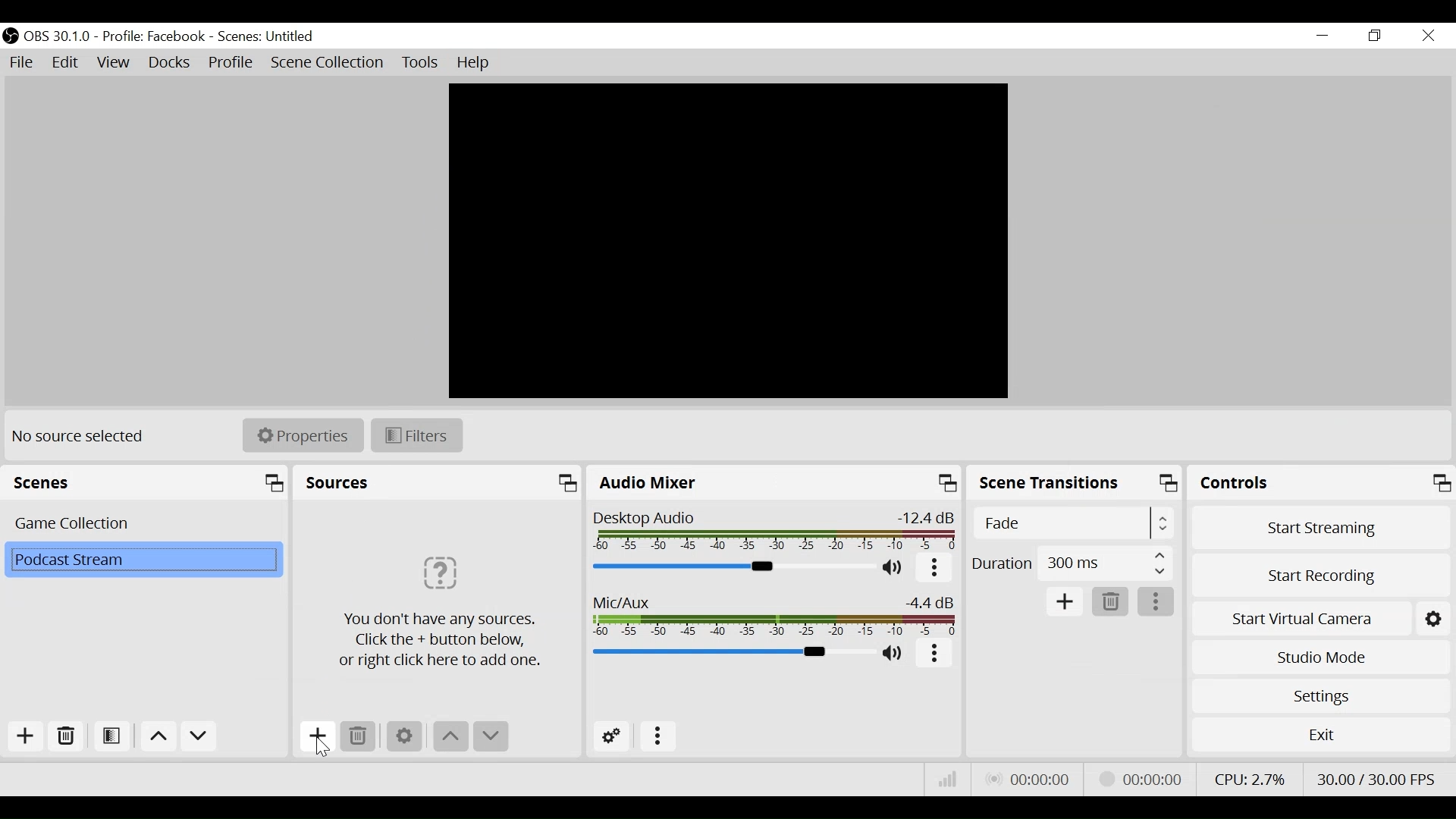 The width and height of the screenshot is (1456, 819). Describe the element at coordinates (197, 739) in the screenshot. I see `Move down` at that location.